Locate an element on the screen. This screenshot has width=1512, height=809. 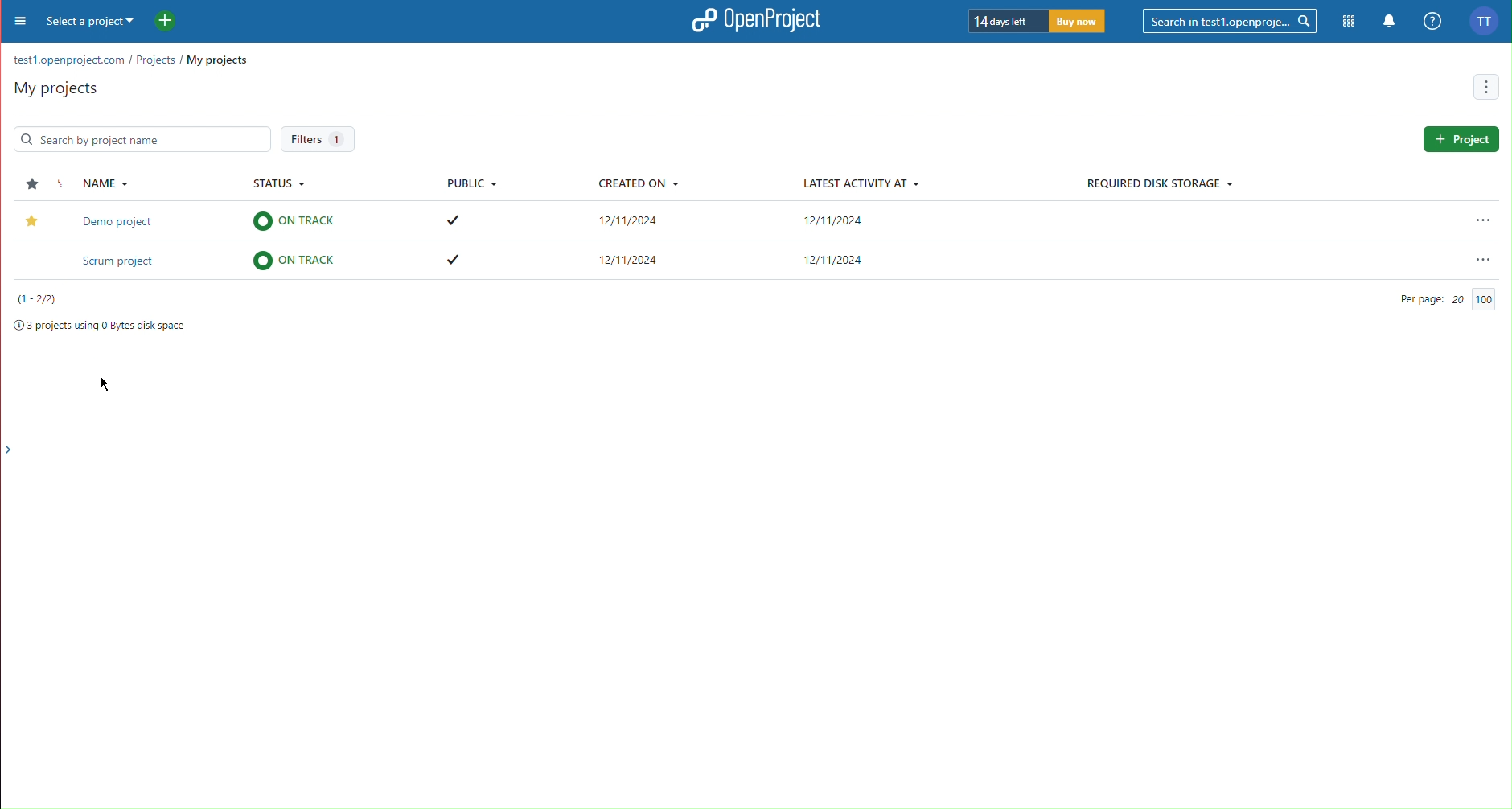
Latest Activity at is located at coordinates (859, 183).